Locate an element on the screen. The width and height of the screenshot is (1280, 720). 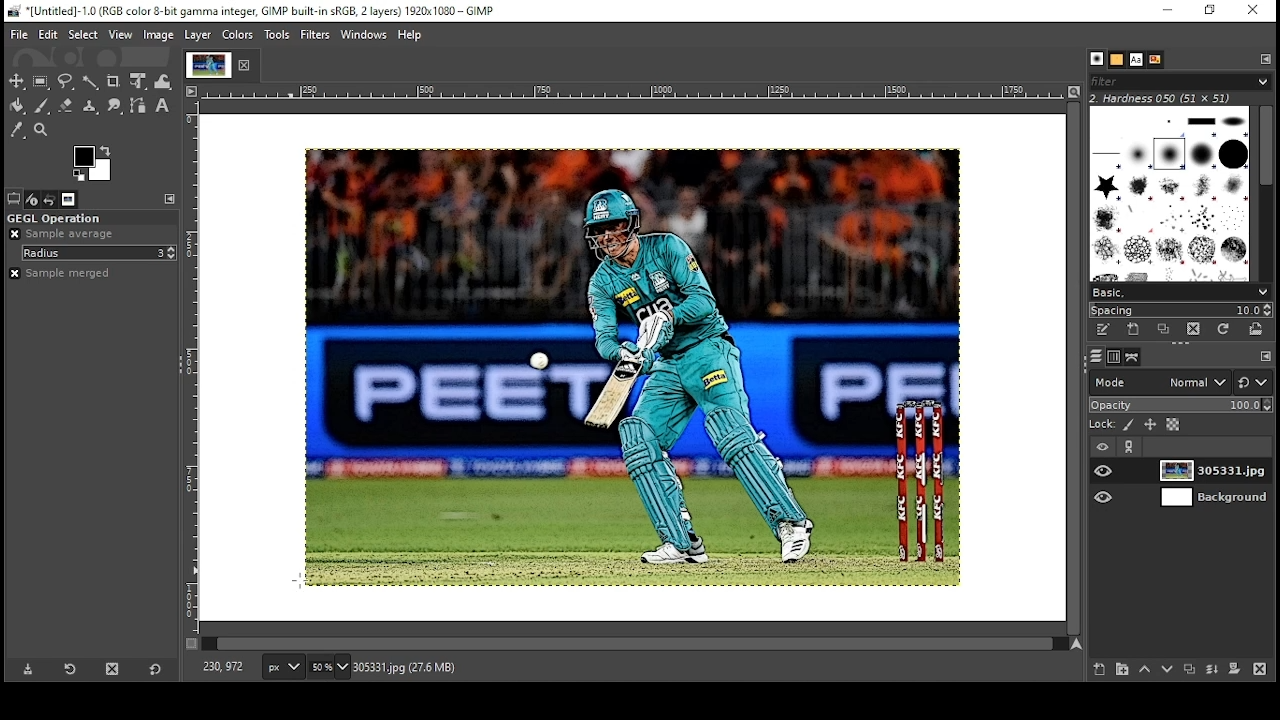
create new layer group is located at coordinates (1121, 669).